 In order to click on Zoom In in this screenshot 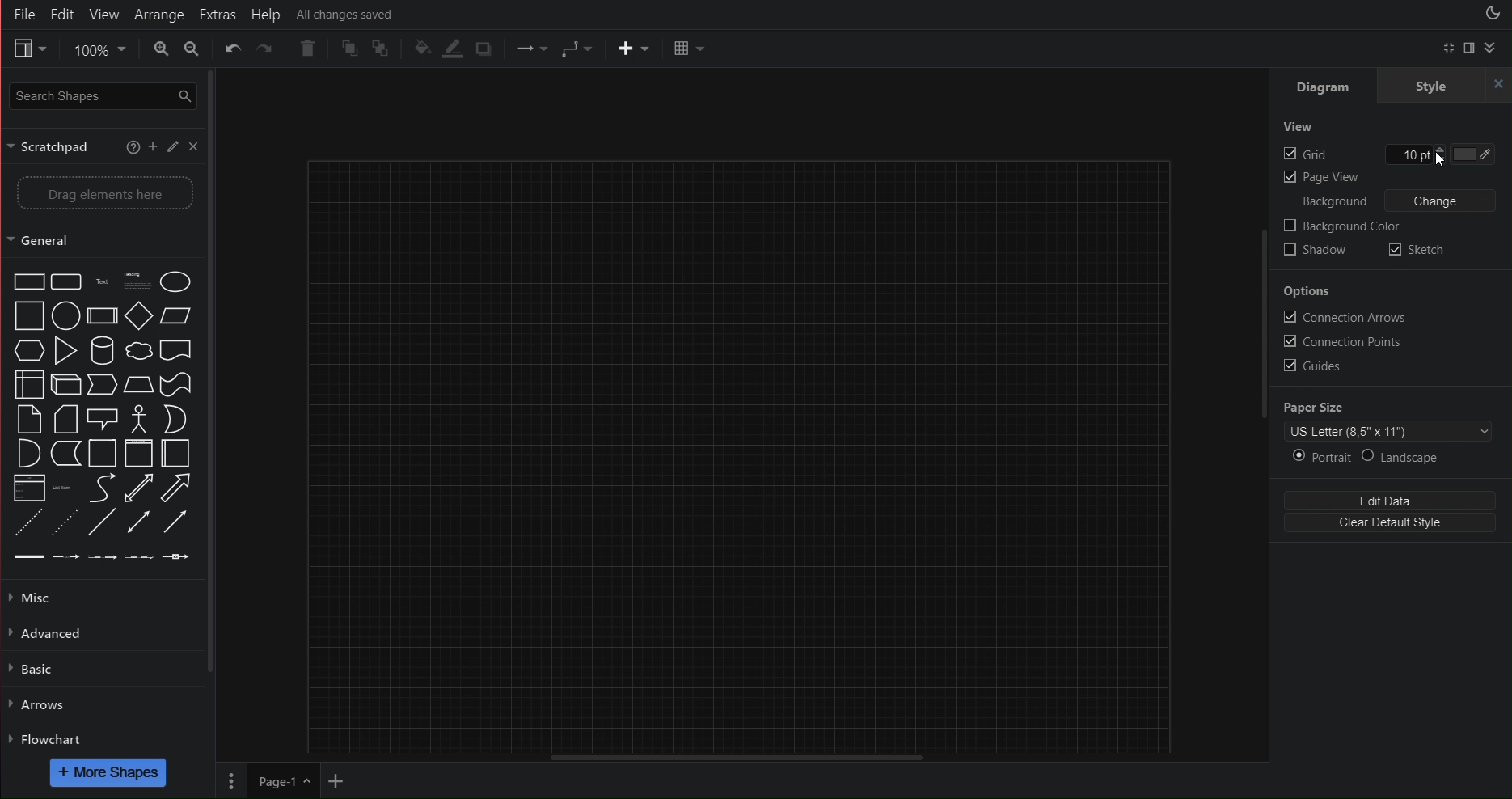, I will do `click(158, 49)`.